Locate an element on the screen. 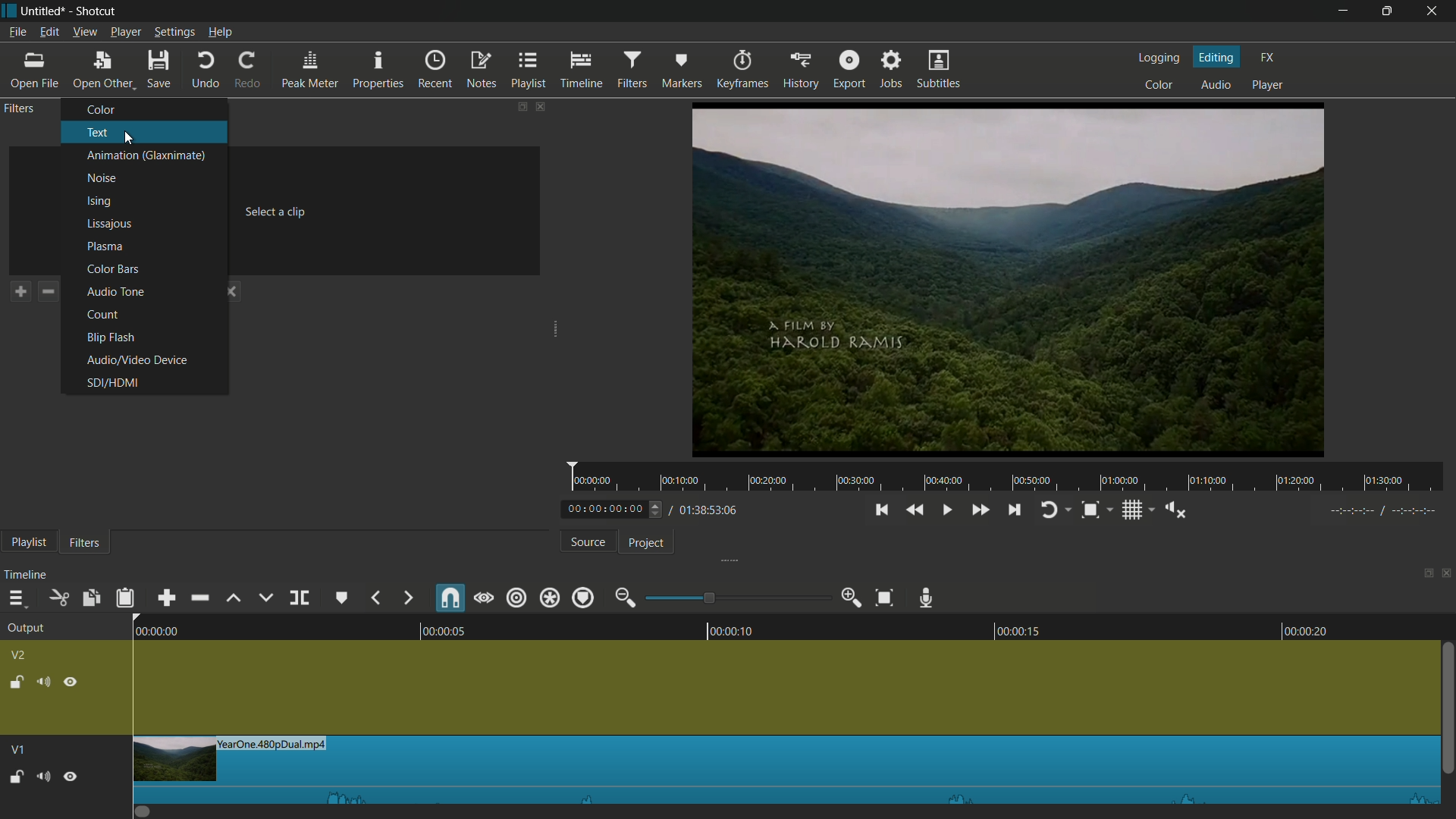 The width and height of the screenshot is (1456, 819). app name is located at coordinates (98, 11).